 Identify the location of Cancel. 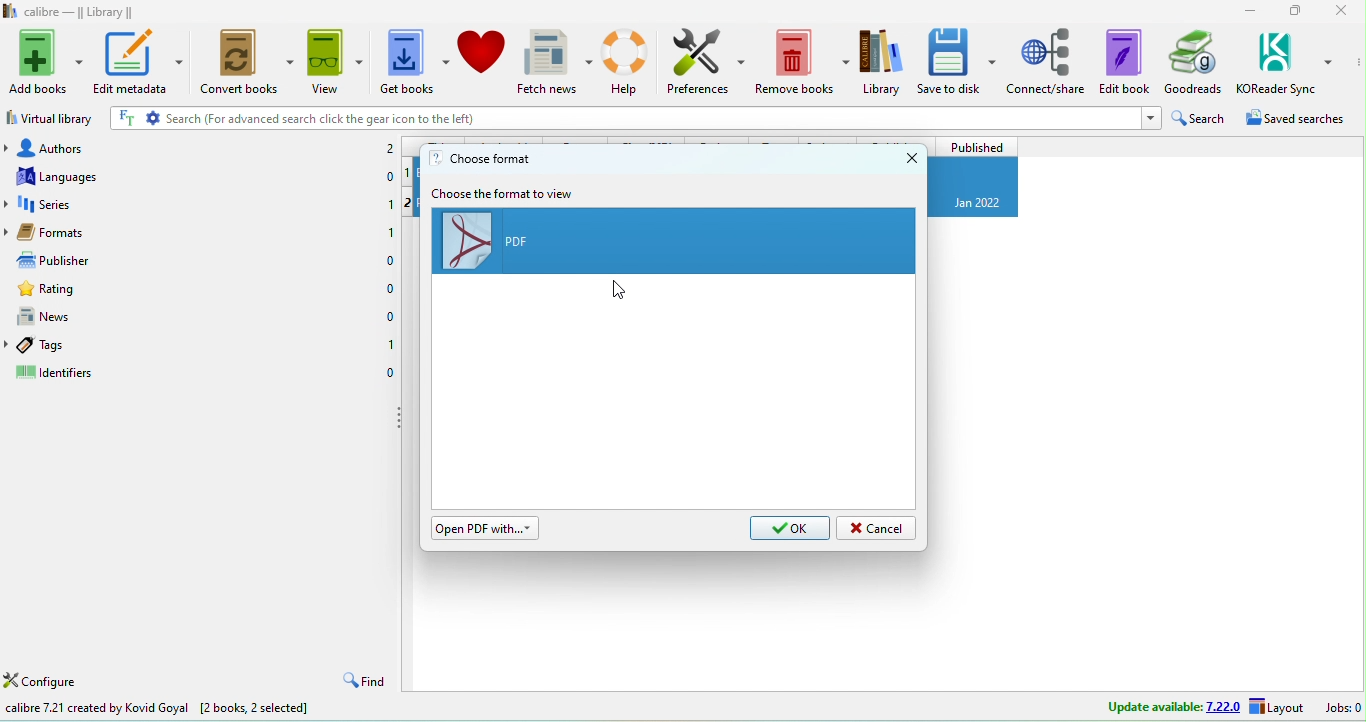
(877, 528).